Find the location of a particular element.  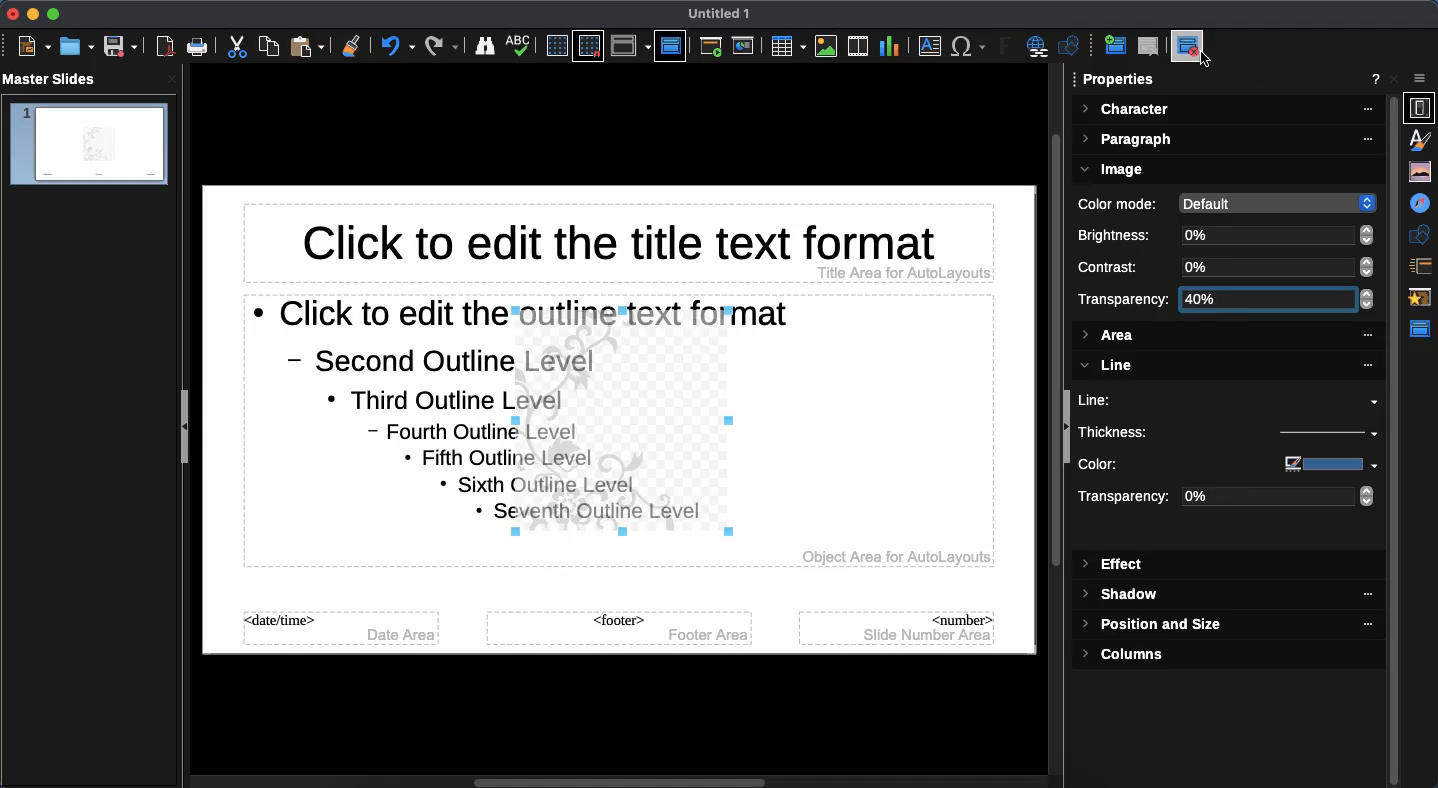

Open is located at coordinates (75, 46).